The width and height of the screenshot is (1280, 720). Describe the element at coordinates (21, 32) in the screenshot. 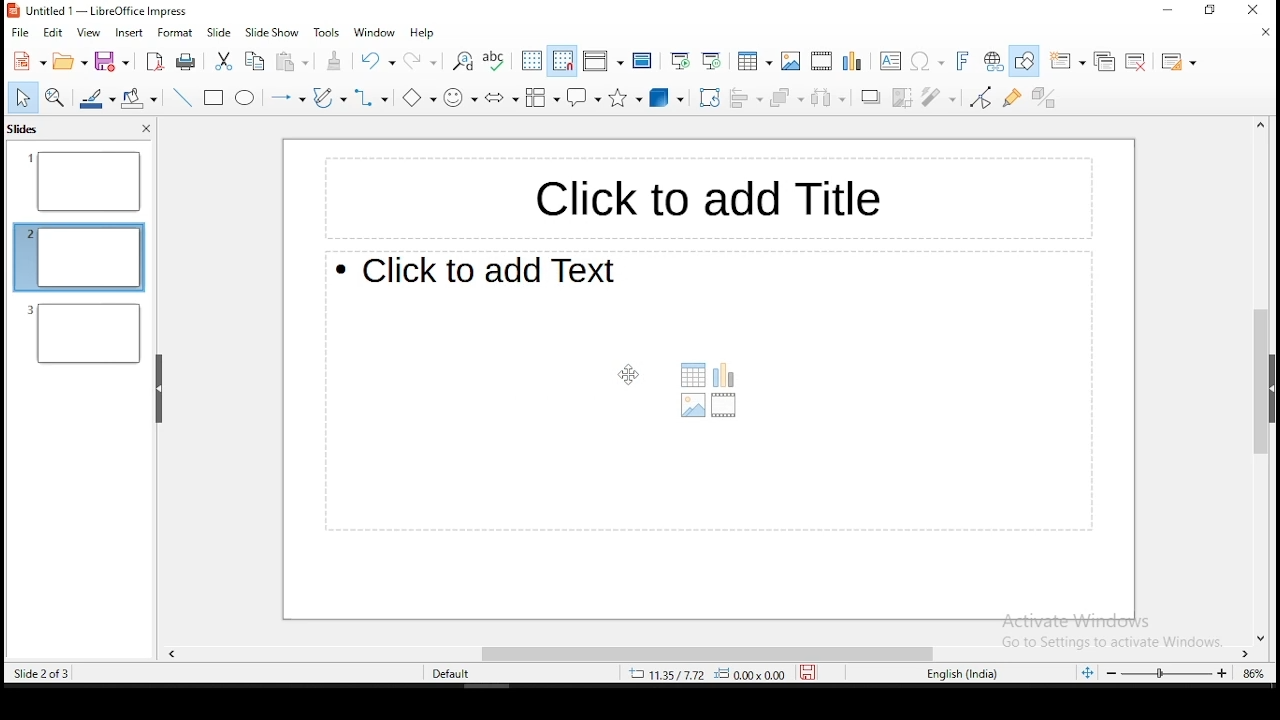

I see `file` at that location.